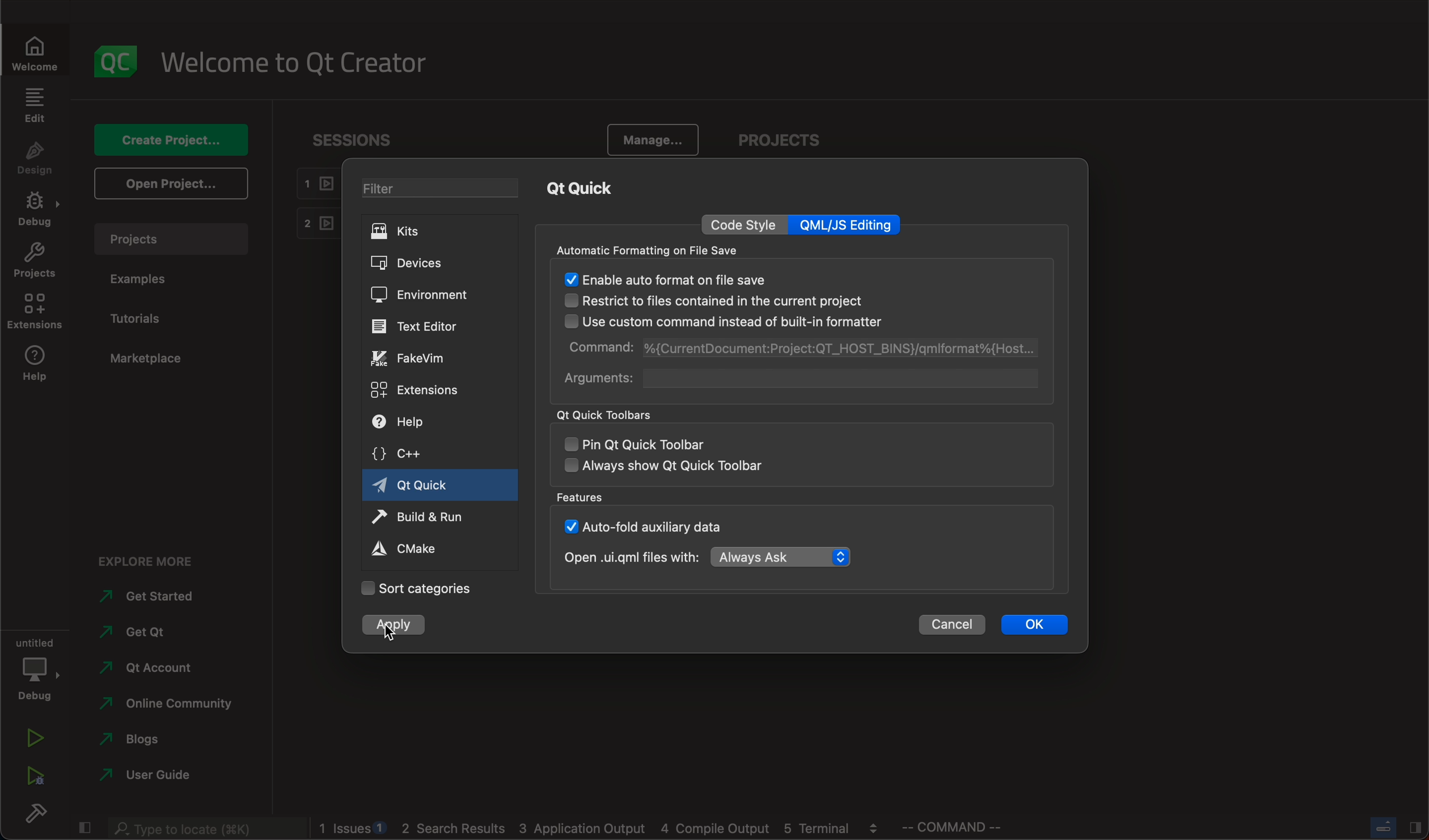 This screenshot has width=1429, height=840. Describe the element at coordinates (166, 358) in the screenshot. I see `marketplace` at that location.